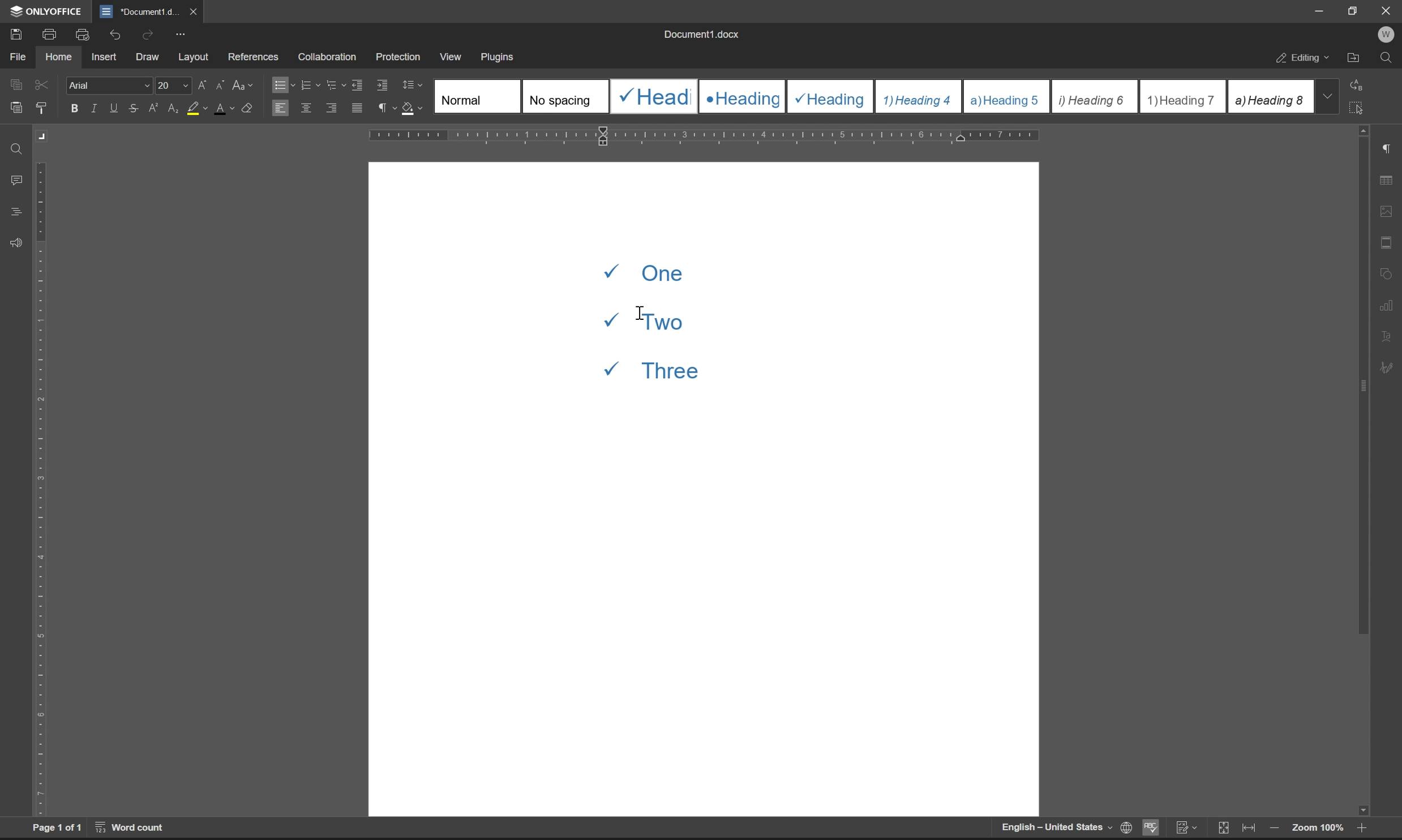  What do you see at coordinates (1270, 96) in the screenshot?
I see `Heading 8` at bounding box center [1270, 96].